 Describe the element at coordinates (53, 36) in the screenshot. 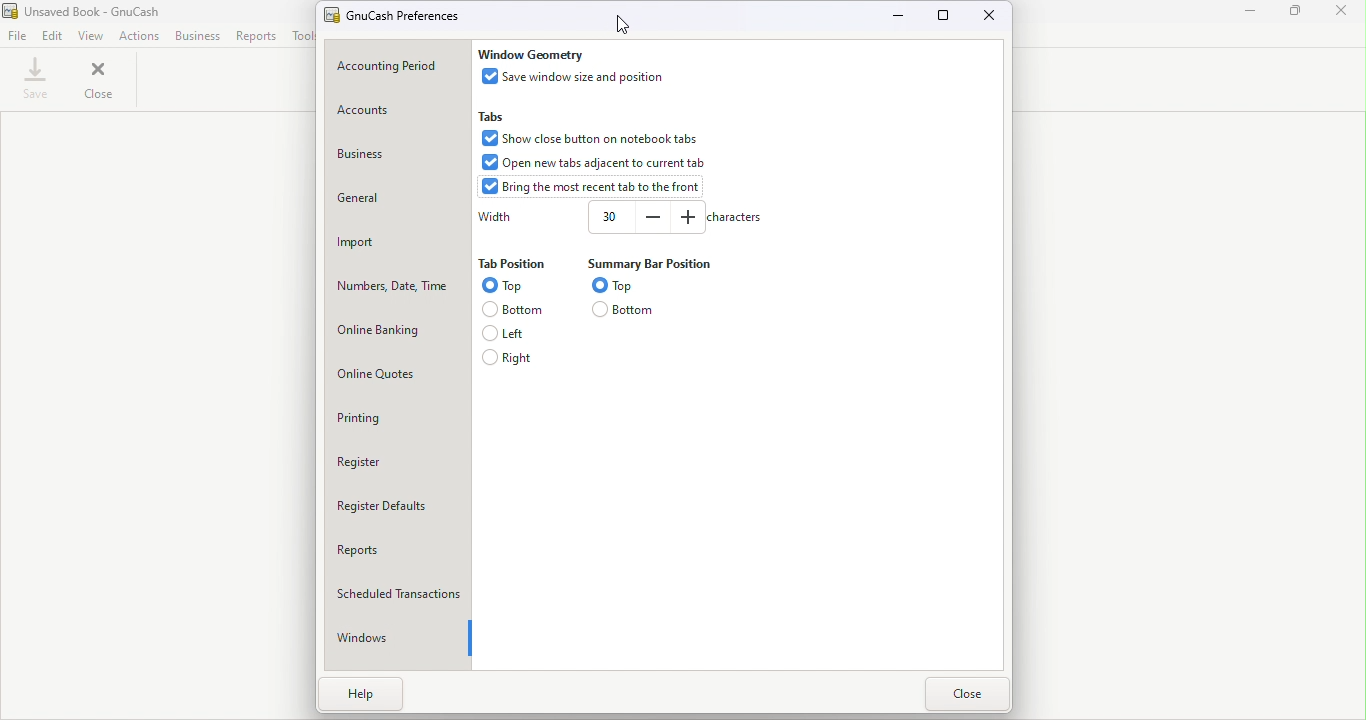

I see `Edit` at that location.